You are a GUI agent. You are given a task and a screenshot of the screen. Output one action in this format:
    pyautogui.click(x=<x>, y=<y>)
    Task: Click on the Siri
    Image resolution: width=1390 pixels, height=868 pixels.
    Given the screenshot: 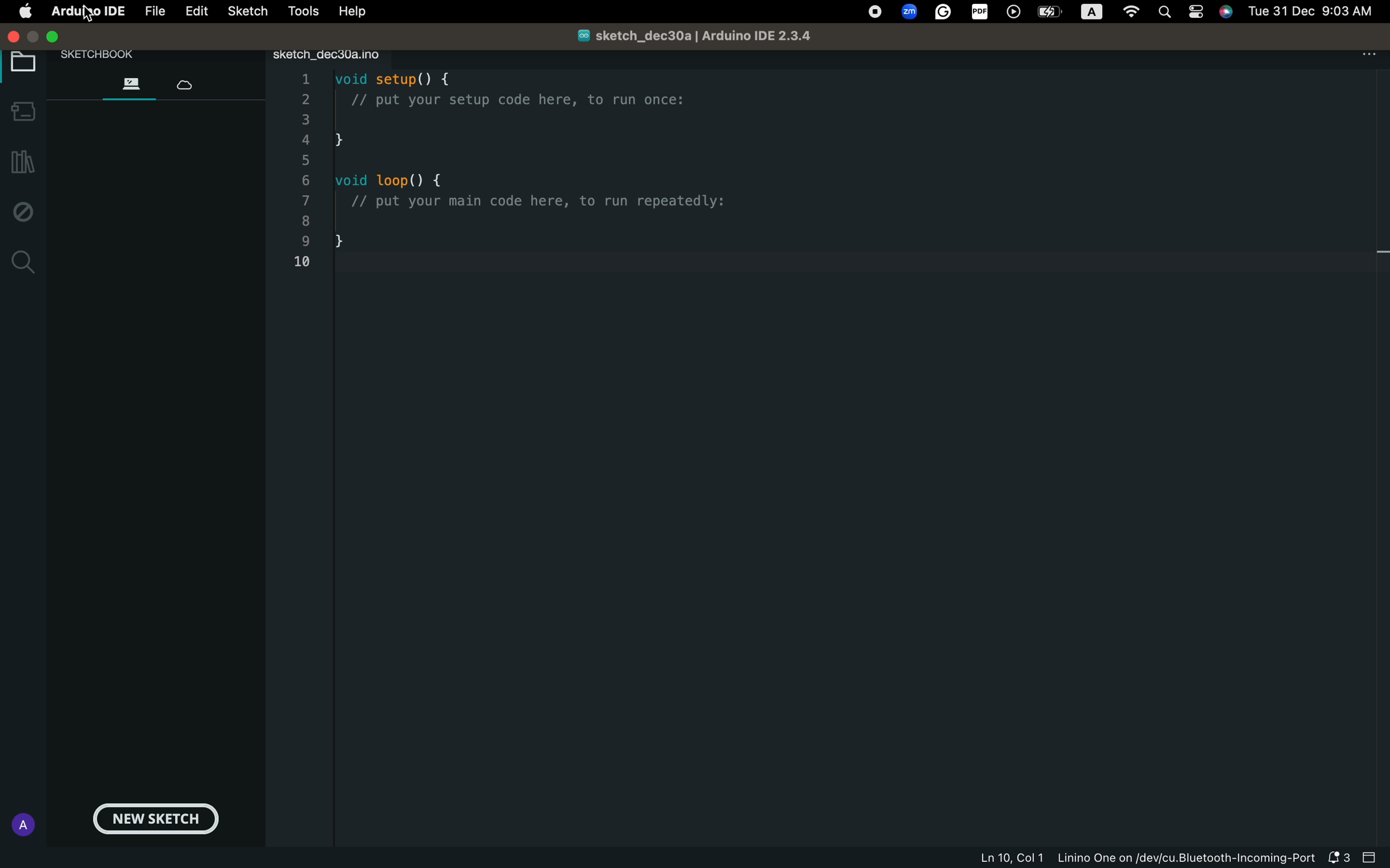 What is the action you would take?
    pyautogui.click(x=1227, y=10)
    